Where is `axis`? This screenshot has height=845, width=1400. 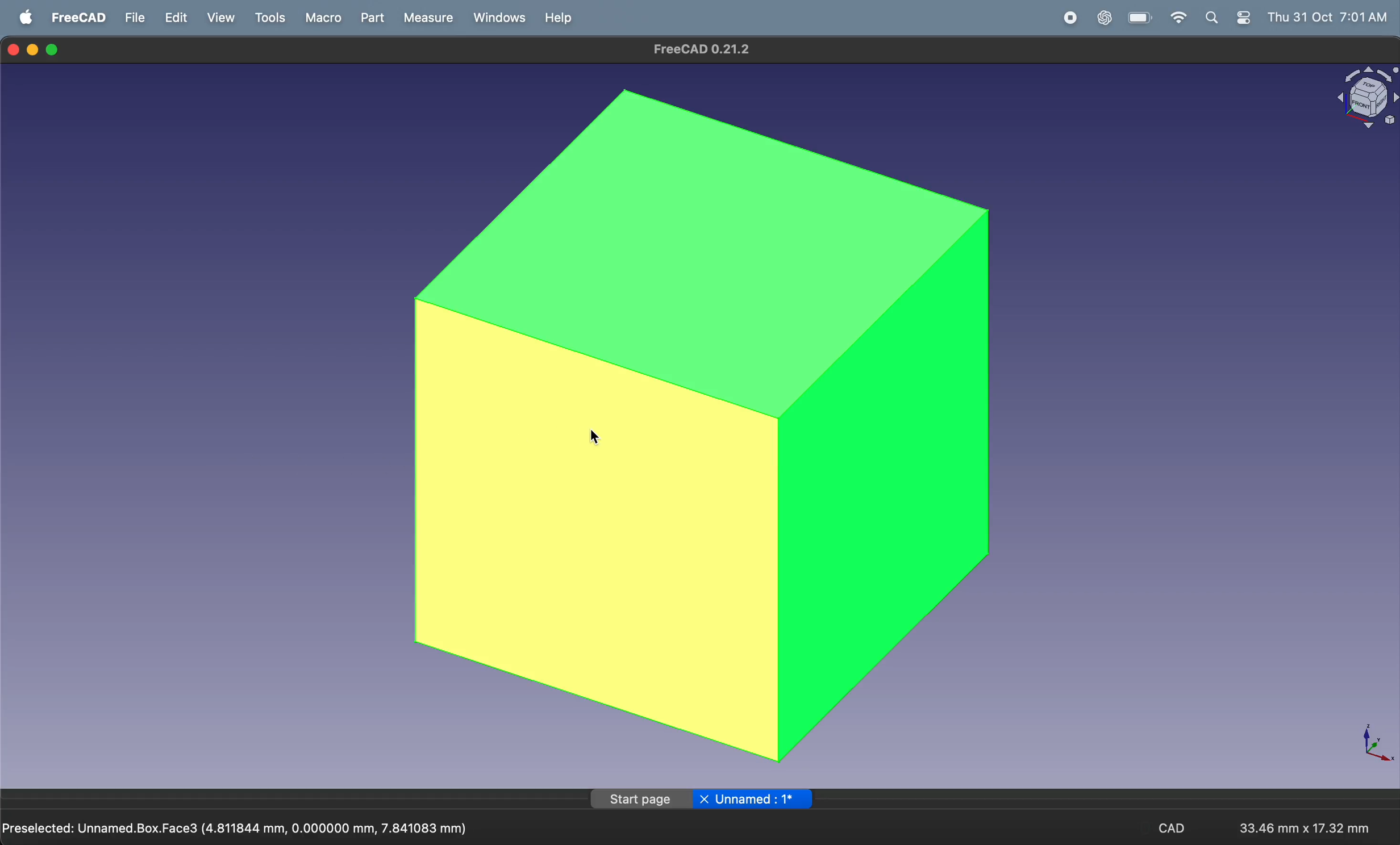
axis is located at coordinates (1370, 742).